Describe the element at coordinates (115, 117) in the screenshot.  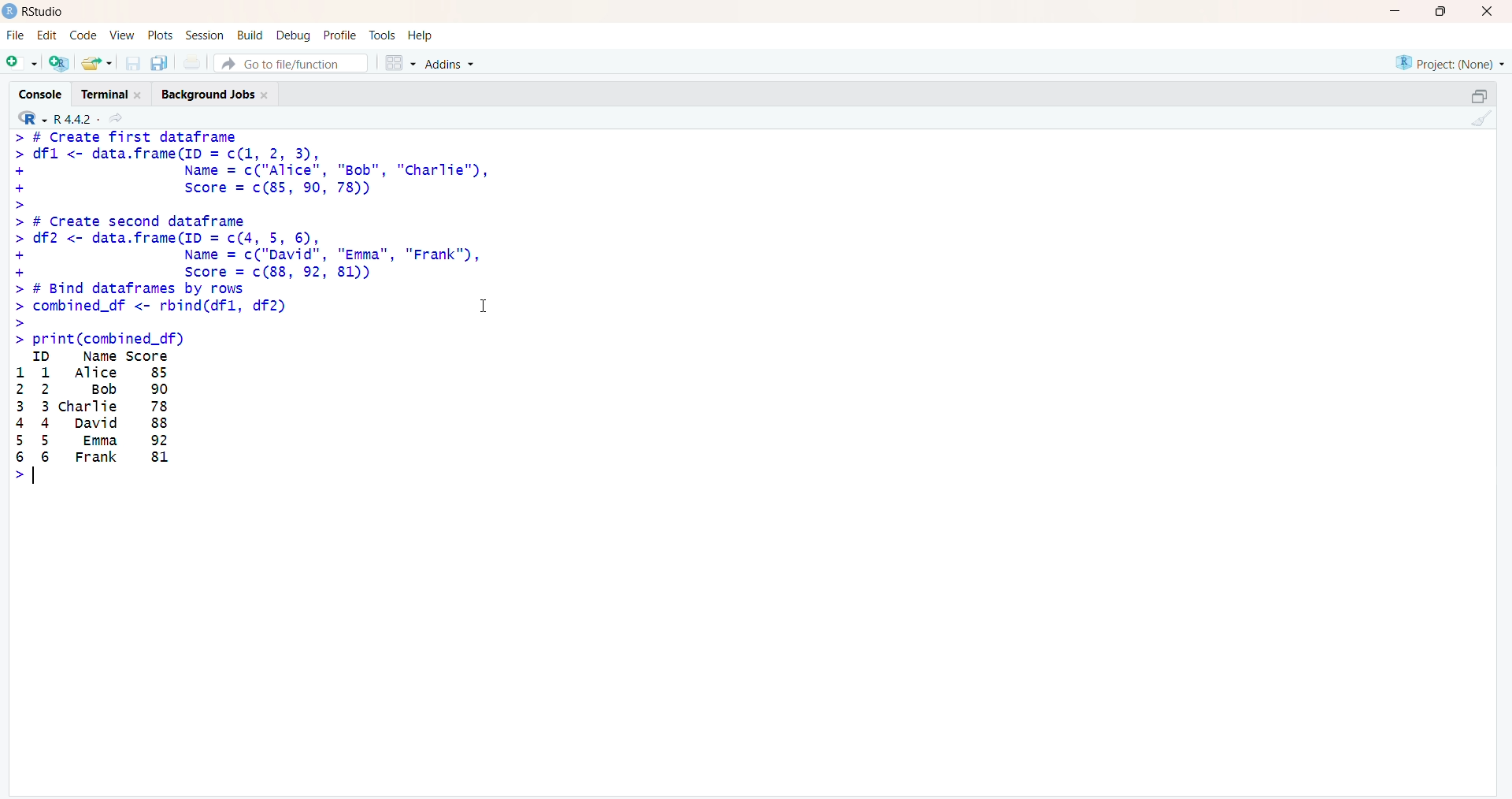
I see `view current directory` at that location.